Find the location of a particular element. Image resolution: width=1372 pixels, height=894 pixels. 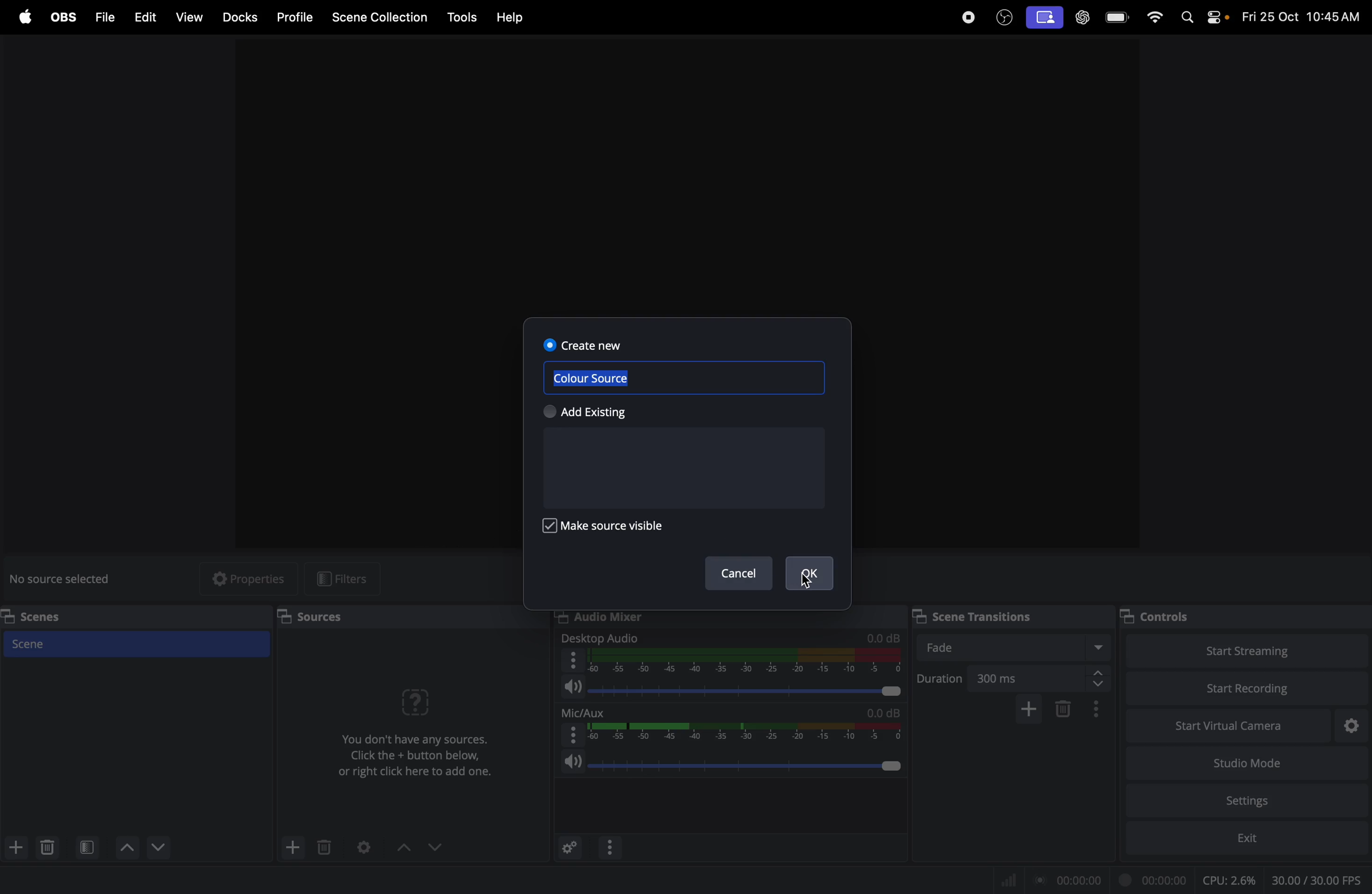

Cancel is located at coordinates (736, 574).